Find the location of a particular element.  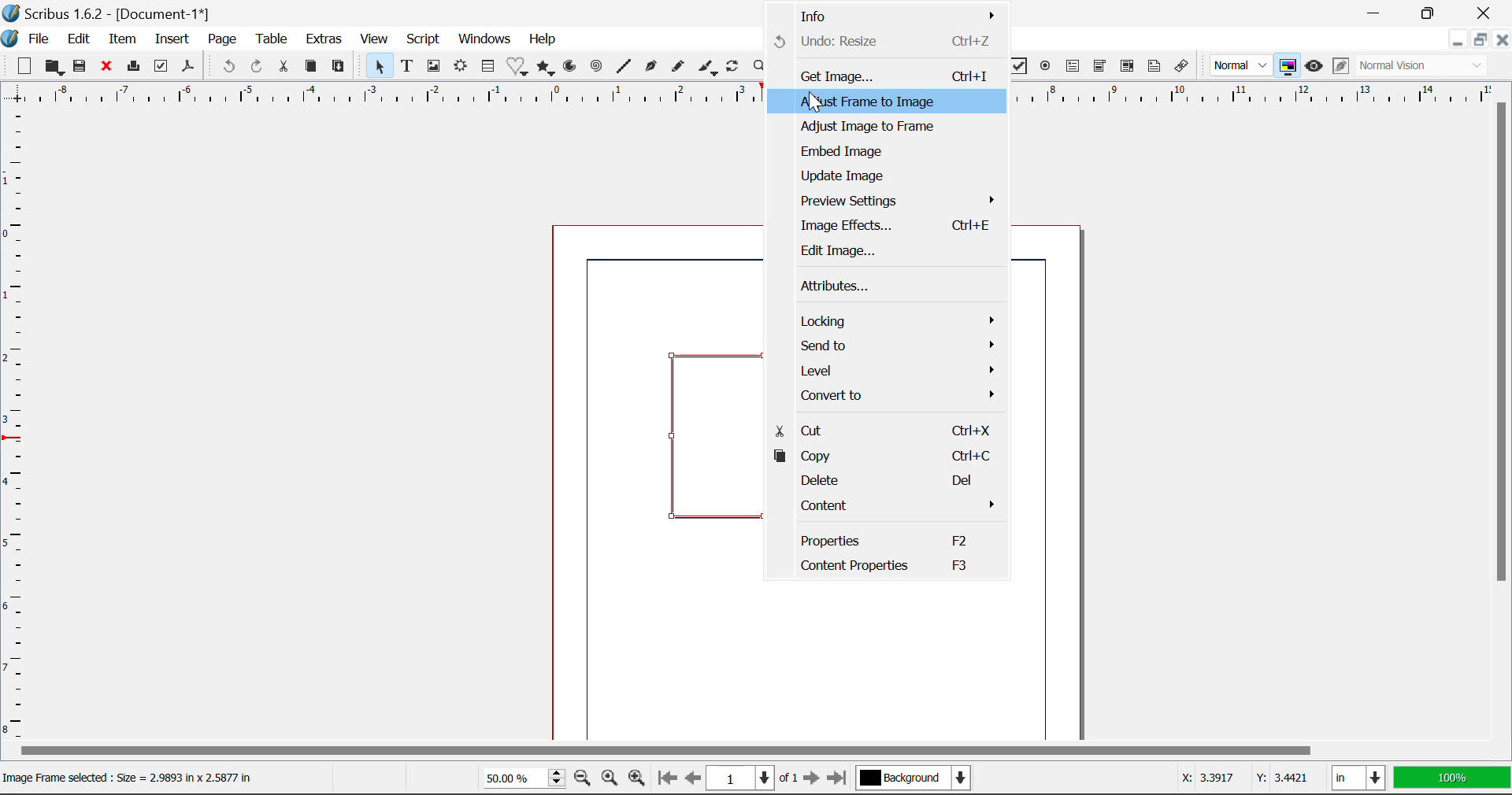

Search is located at coordinates (758, 67).